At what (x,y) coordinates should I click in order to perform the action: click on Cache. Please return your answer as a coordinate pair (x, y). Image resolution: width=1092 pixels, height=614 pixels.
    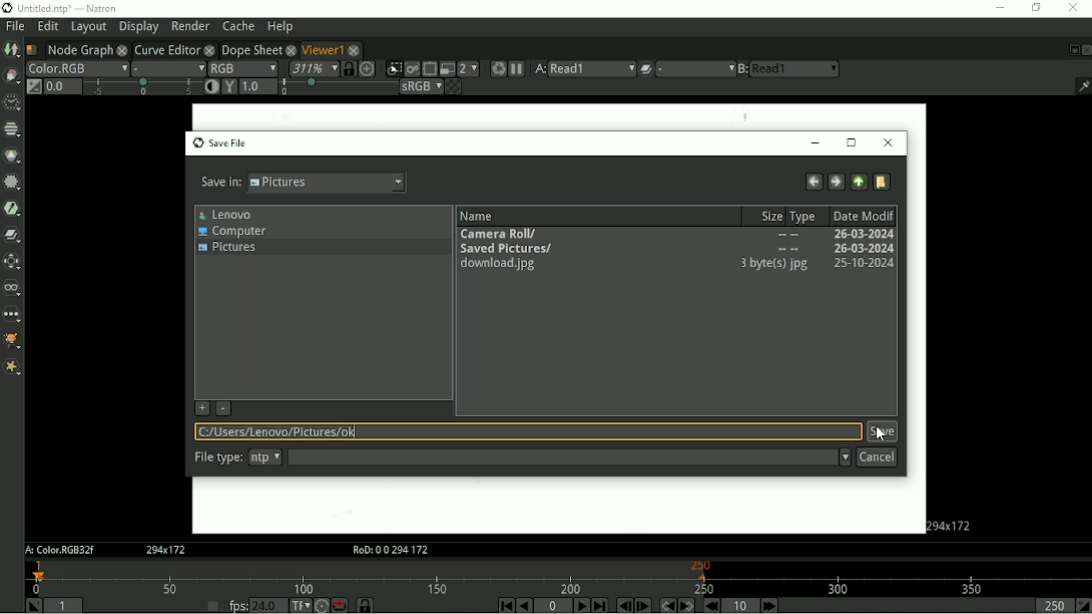
    Looking at the image, I should click on (239, 26).